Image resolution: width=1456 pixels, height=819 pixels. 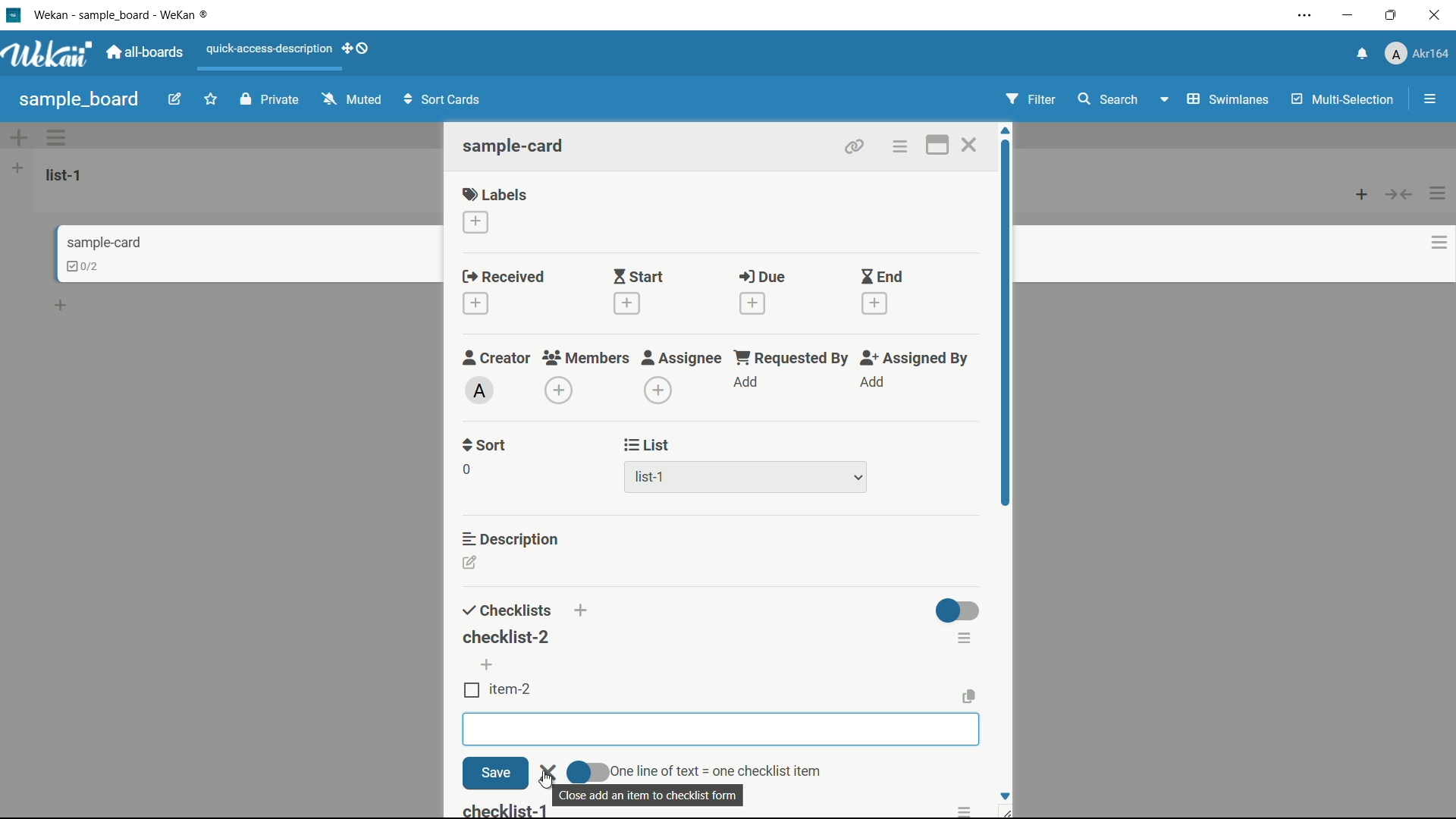 What do you see at coordinates (270, 49) in the screenshot?
I see `quick-access-description` at bounding box center [270, 49].